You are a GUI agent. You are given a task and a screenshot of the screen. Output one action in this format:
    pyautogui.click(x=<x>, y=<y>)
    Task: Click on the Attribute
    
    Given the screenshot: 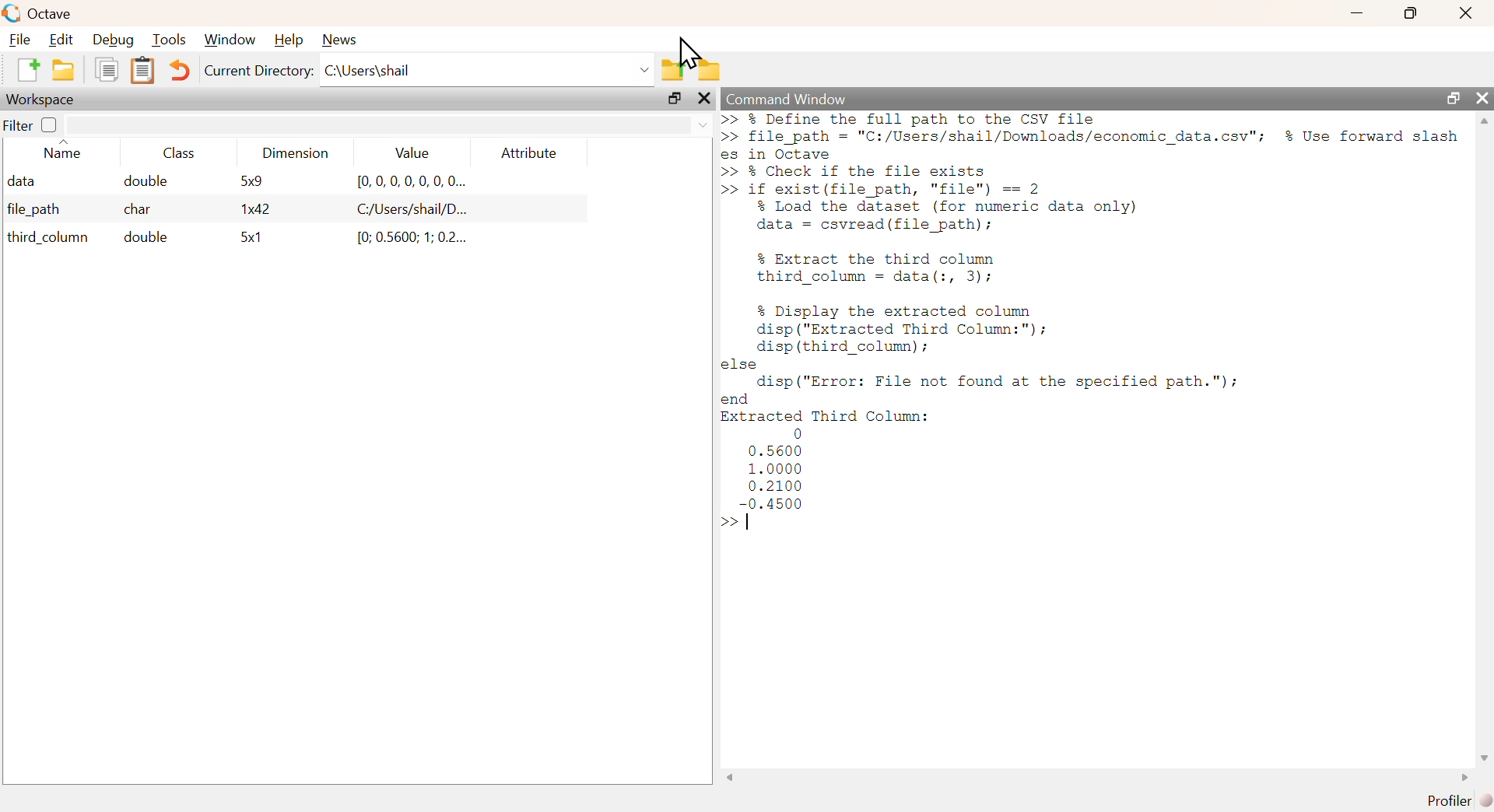 What is the action you would take?
    pyautogui.click(x=531, y=152)
    